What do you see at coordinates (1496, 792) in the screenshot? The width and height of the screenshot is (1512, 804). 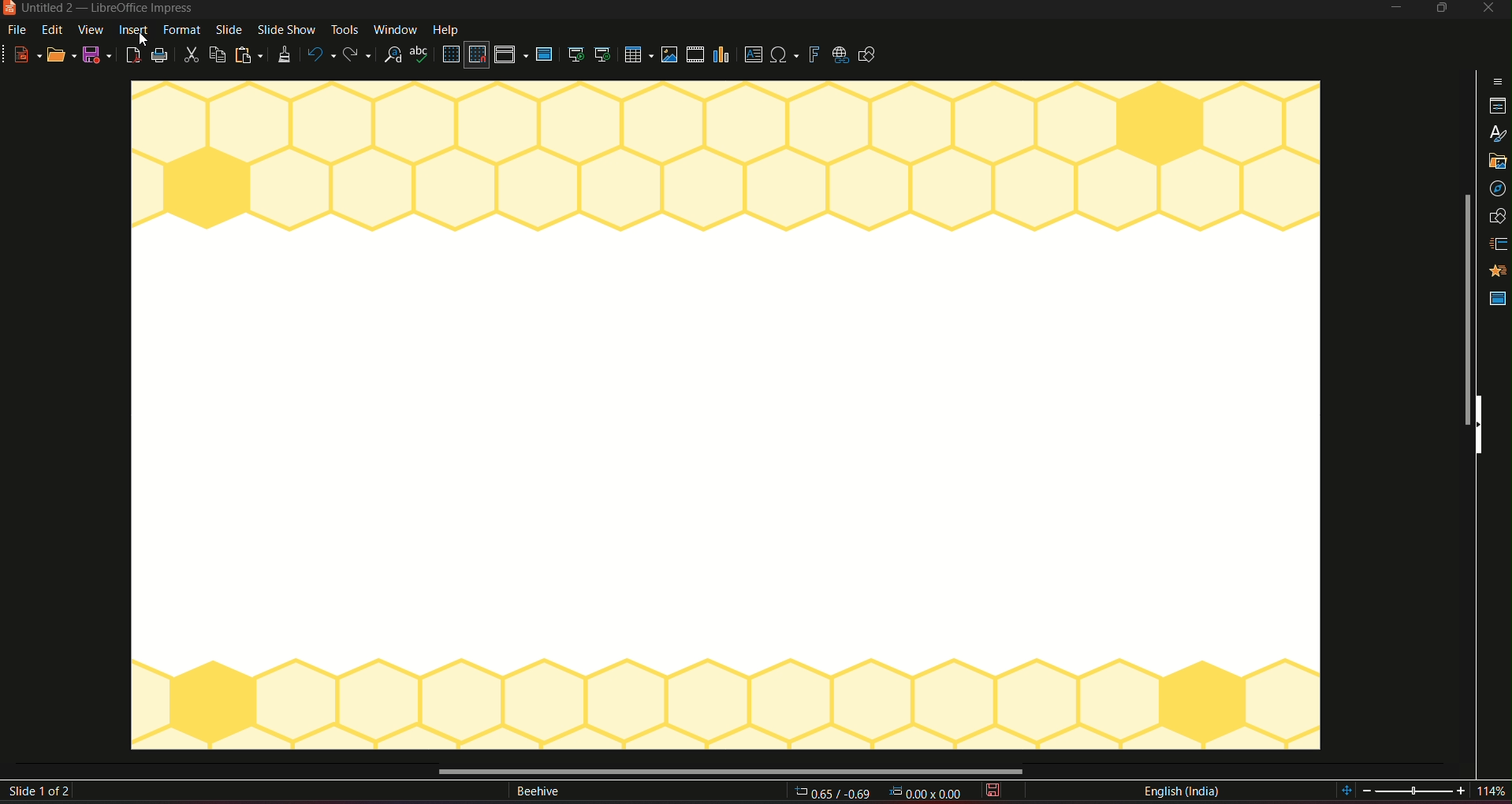 I see `current zoom` at bounding box center [1496, 792].